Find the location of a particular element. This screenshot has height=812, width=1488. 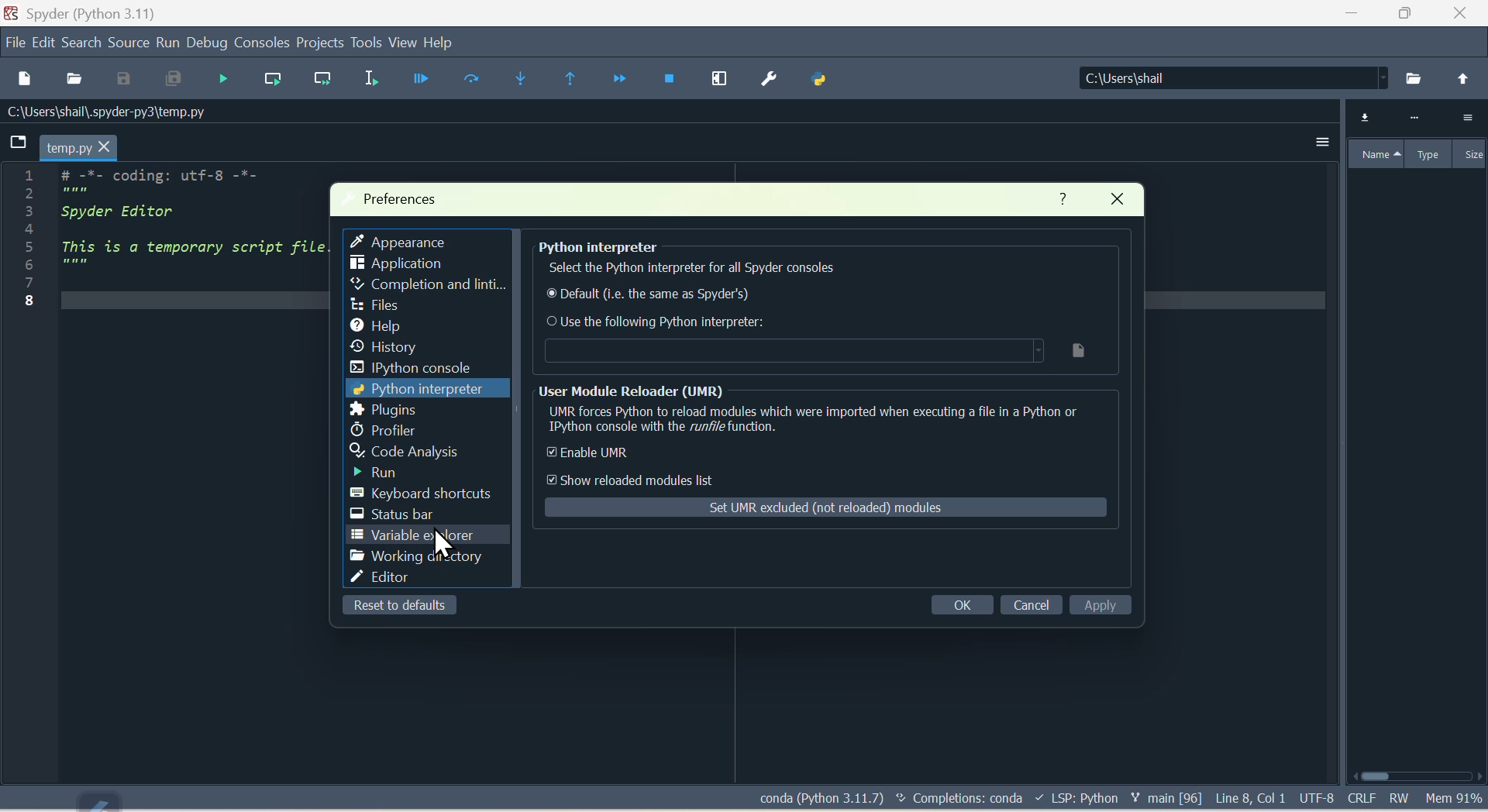

Spyder (python 3.11) is located at coordinates (88, 12).